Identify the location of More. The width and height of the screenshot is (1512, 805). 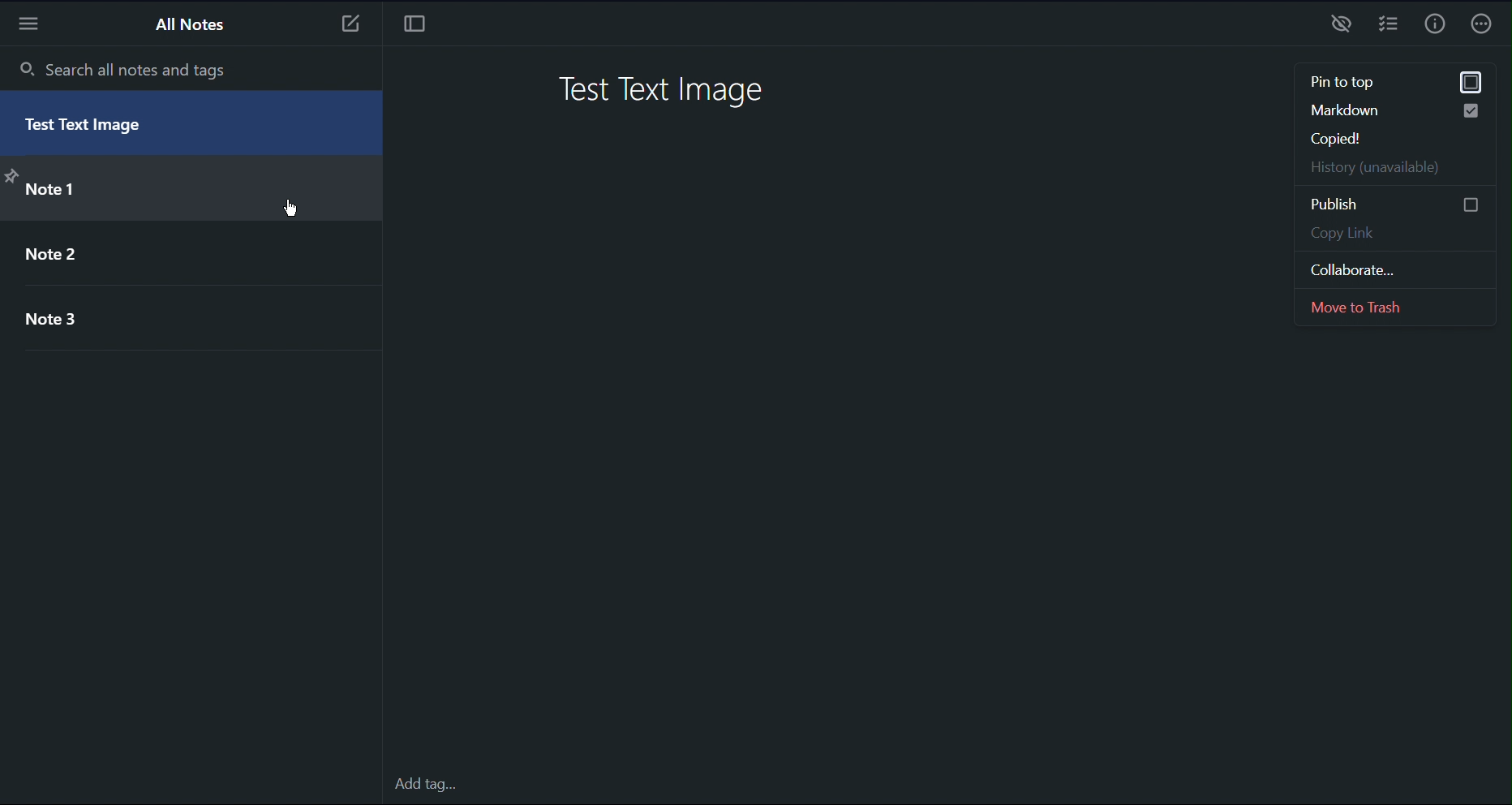
(1482, 24).